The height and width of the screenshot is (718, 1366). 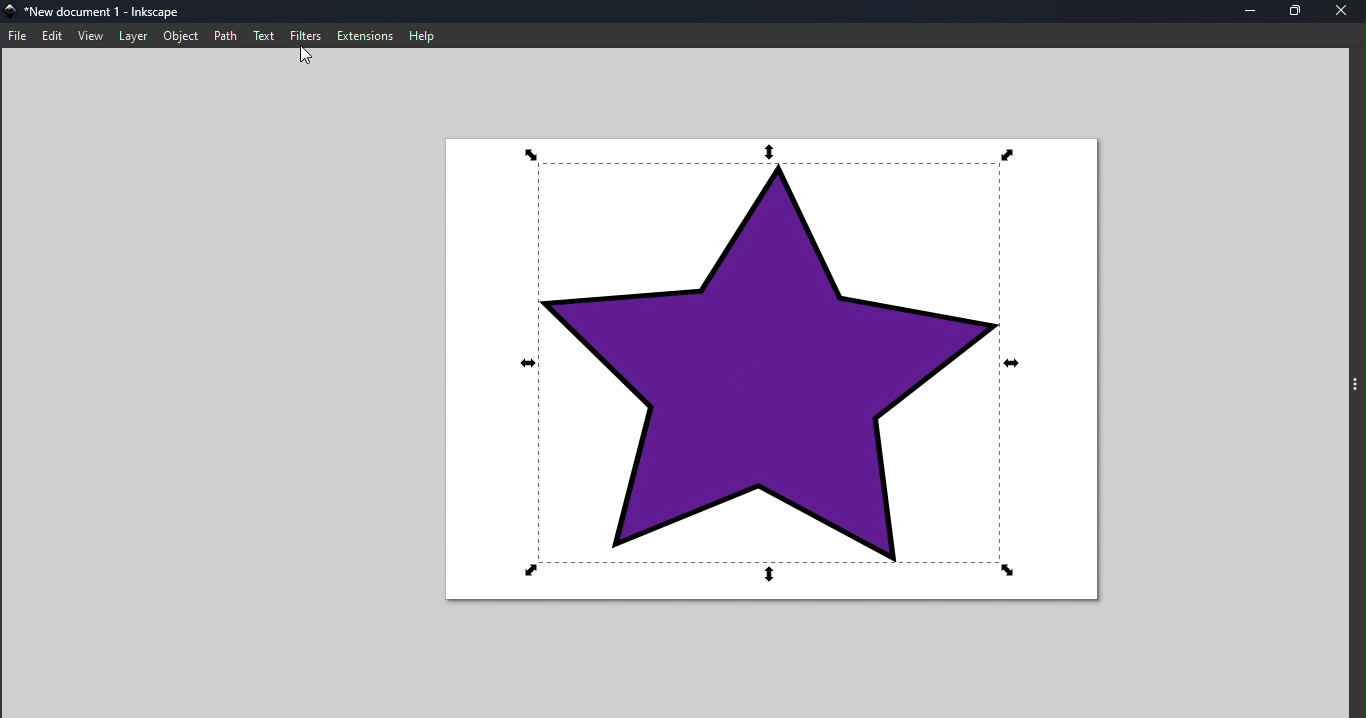 I want to click on Maximize, so click(x=1300, y=14).